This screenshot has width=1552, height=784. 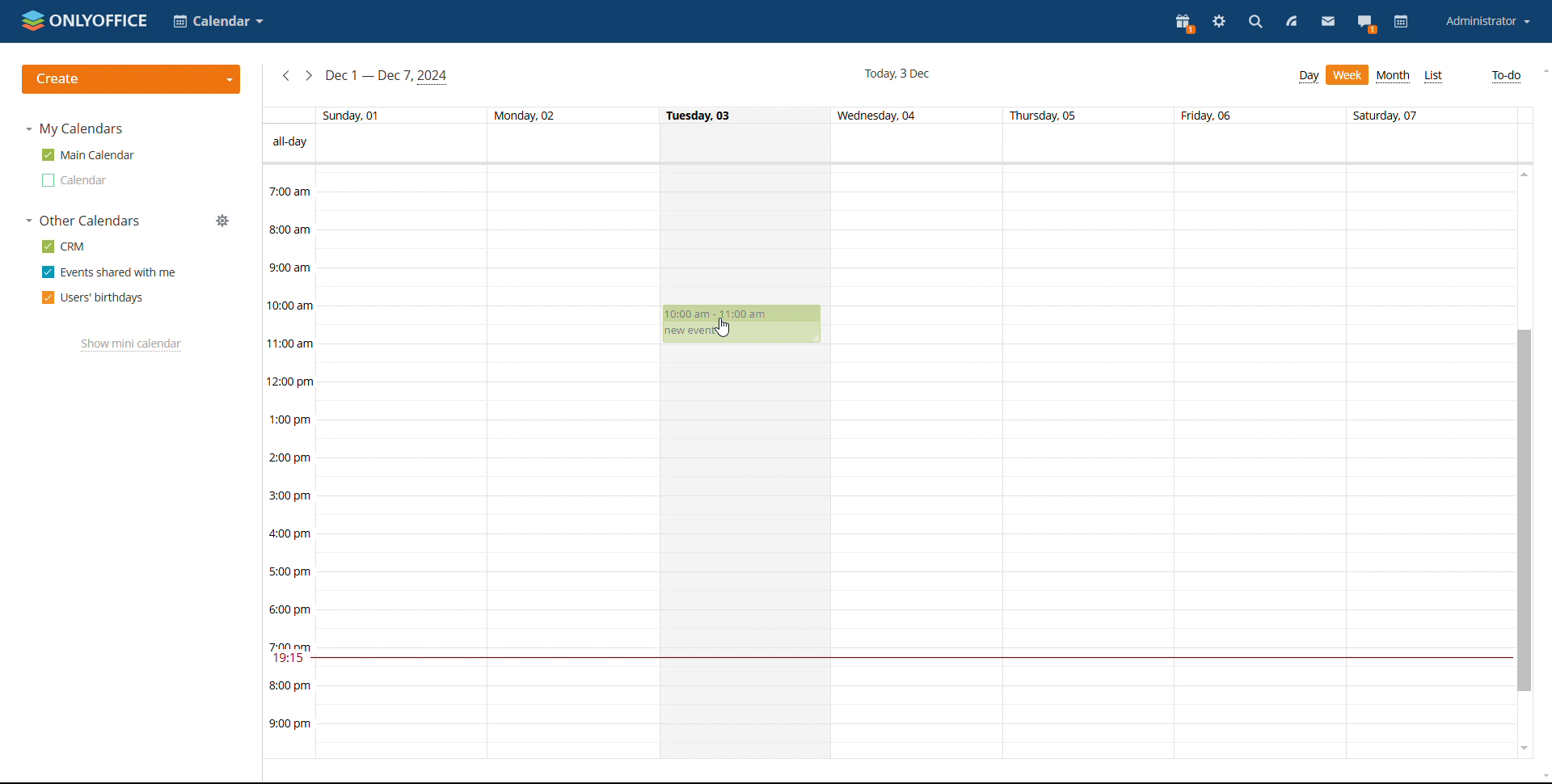 What do you see at coordinates (289, 228) in the screenshot?
I see `8:00 am` at bounding box center [289, 228].